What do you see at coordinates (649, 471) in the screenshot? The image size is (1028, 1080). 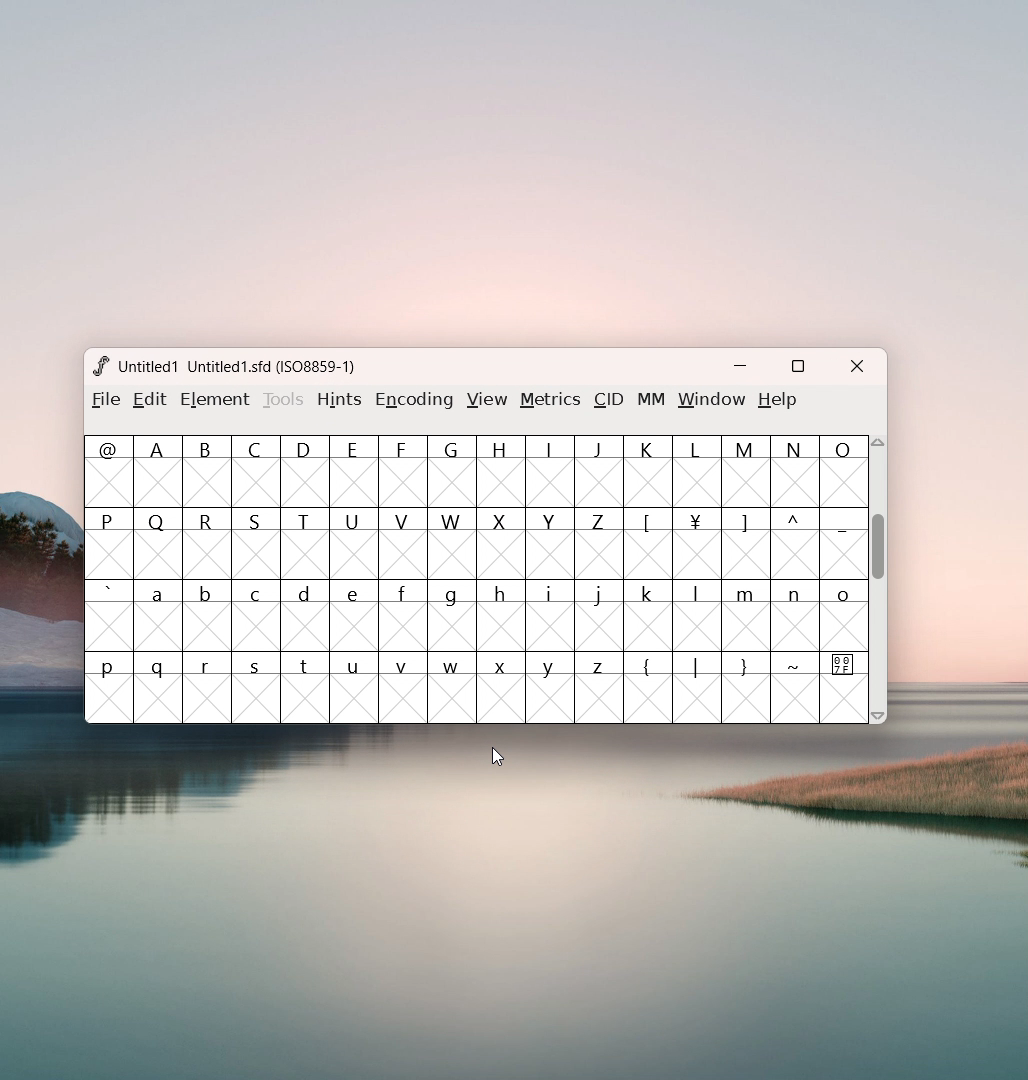 I see `k` at bounding box center [649, 471].